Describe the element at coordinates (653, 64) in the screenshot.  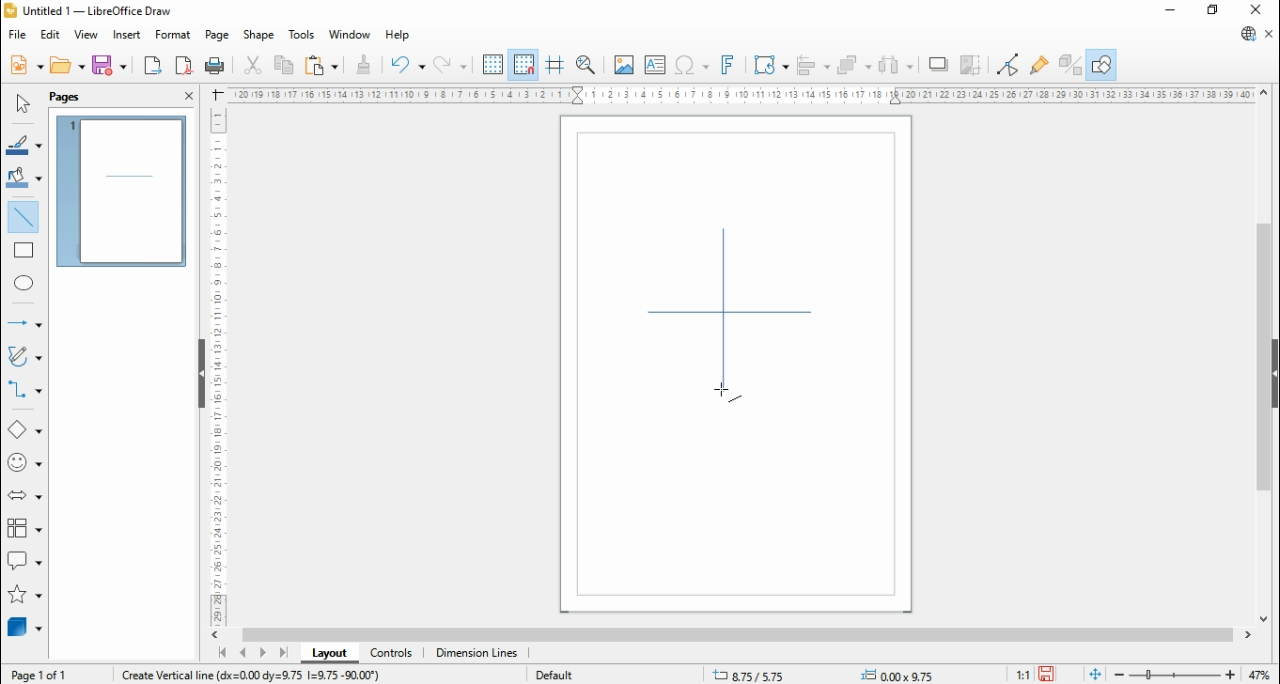
I see `insert text box` at that location.